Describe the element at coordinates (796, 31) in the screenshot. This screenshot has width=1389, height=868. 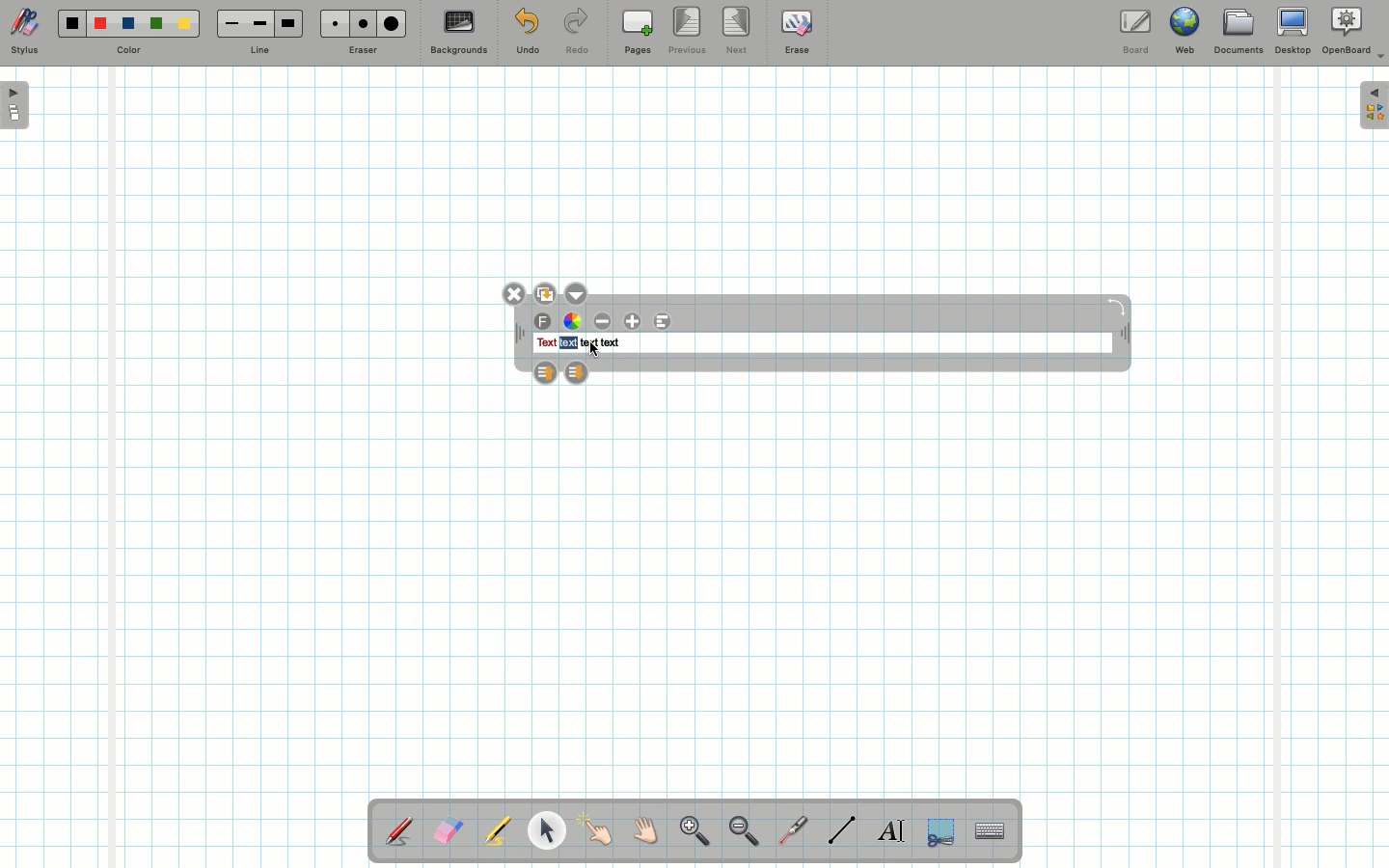
I see `Erase` at that location.